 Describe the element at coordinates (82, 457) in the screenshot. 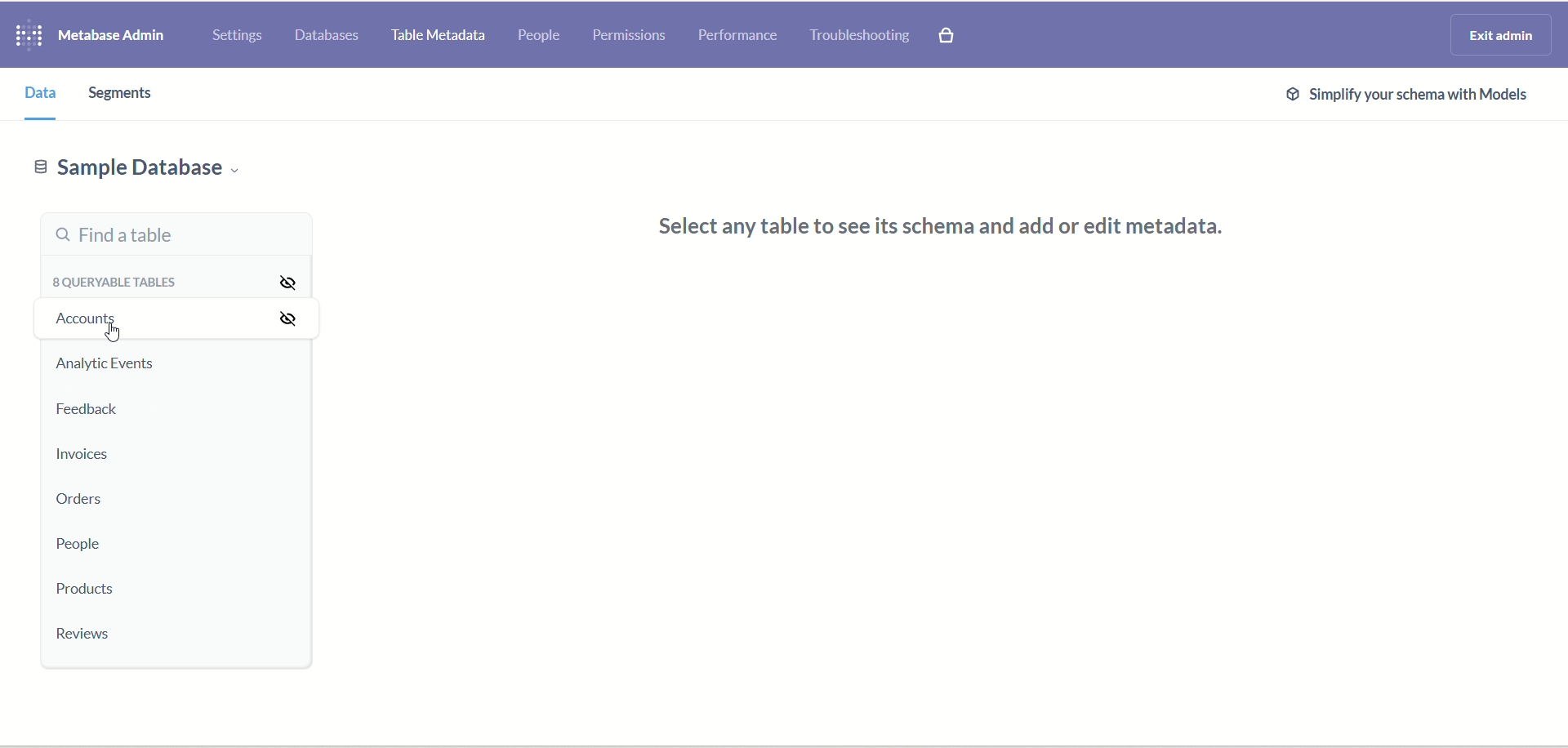

I see `invoices` at that location.